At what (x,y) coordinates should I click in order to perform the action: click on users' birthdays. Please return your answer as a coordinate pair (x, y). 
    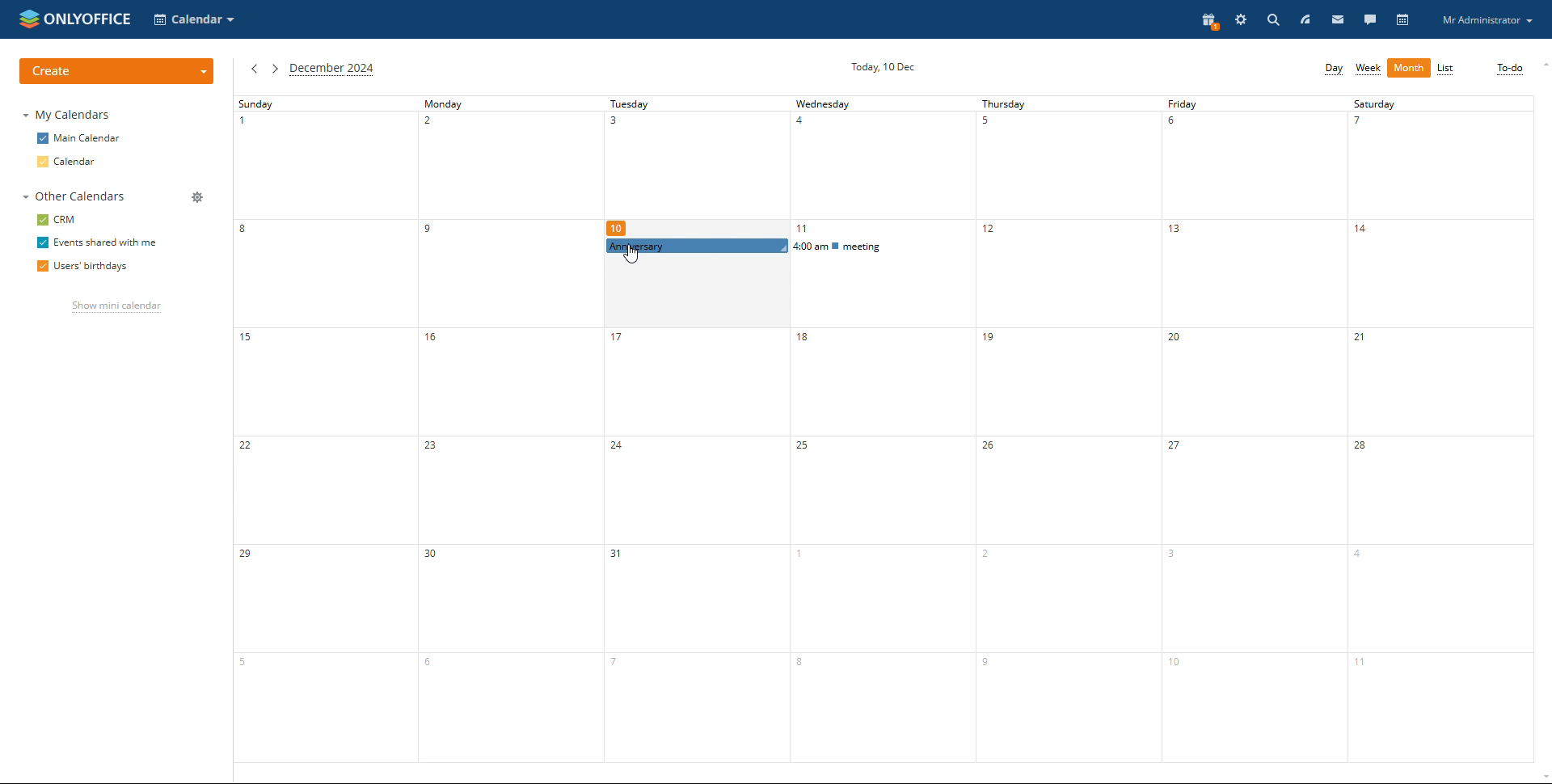
    Looking at the image, I should click on (81, 268).